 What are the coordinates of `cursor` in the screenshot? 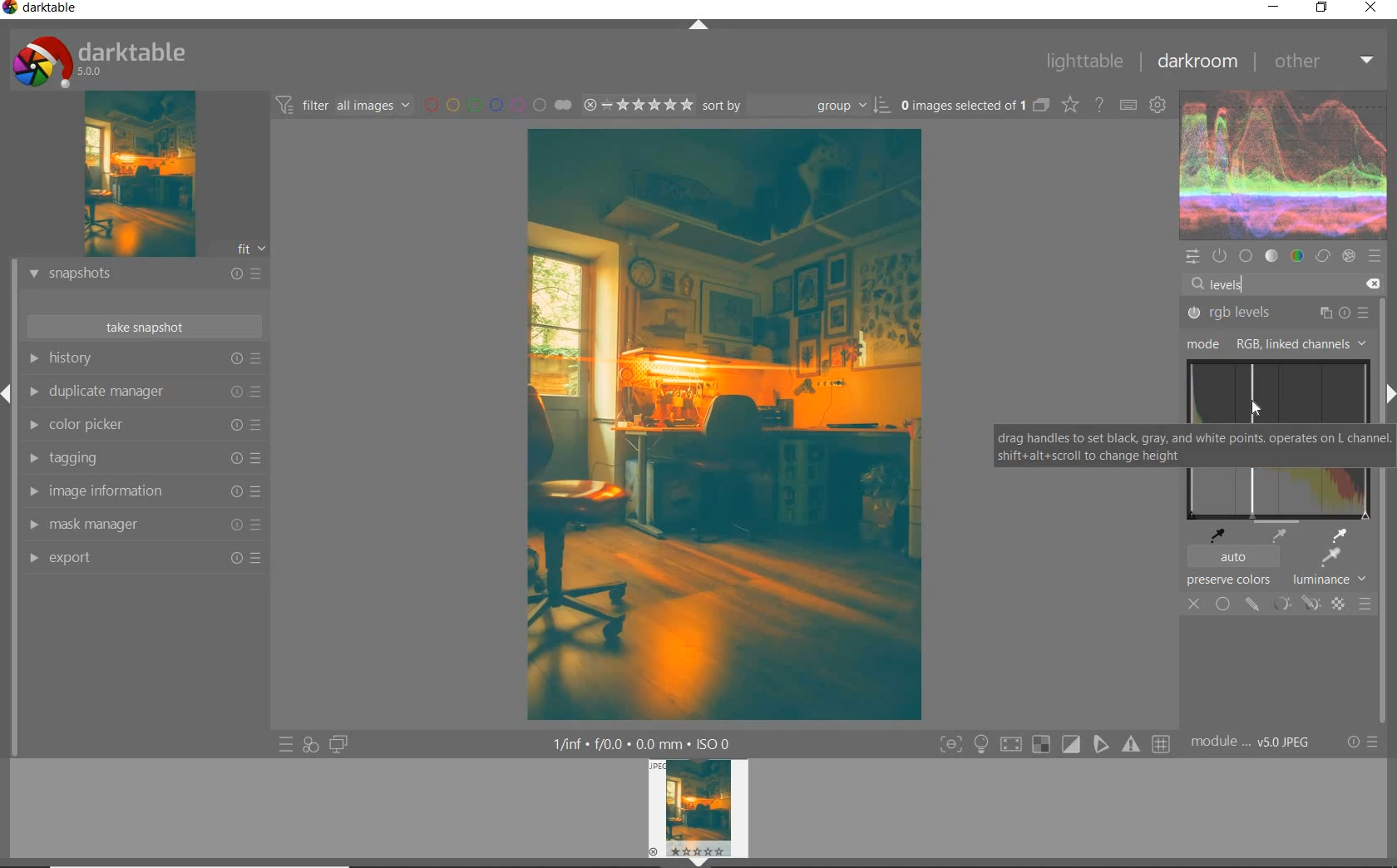 It's located at (1256, 408).